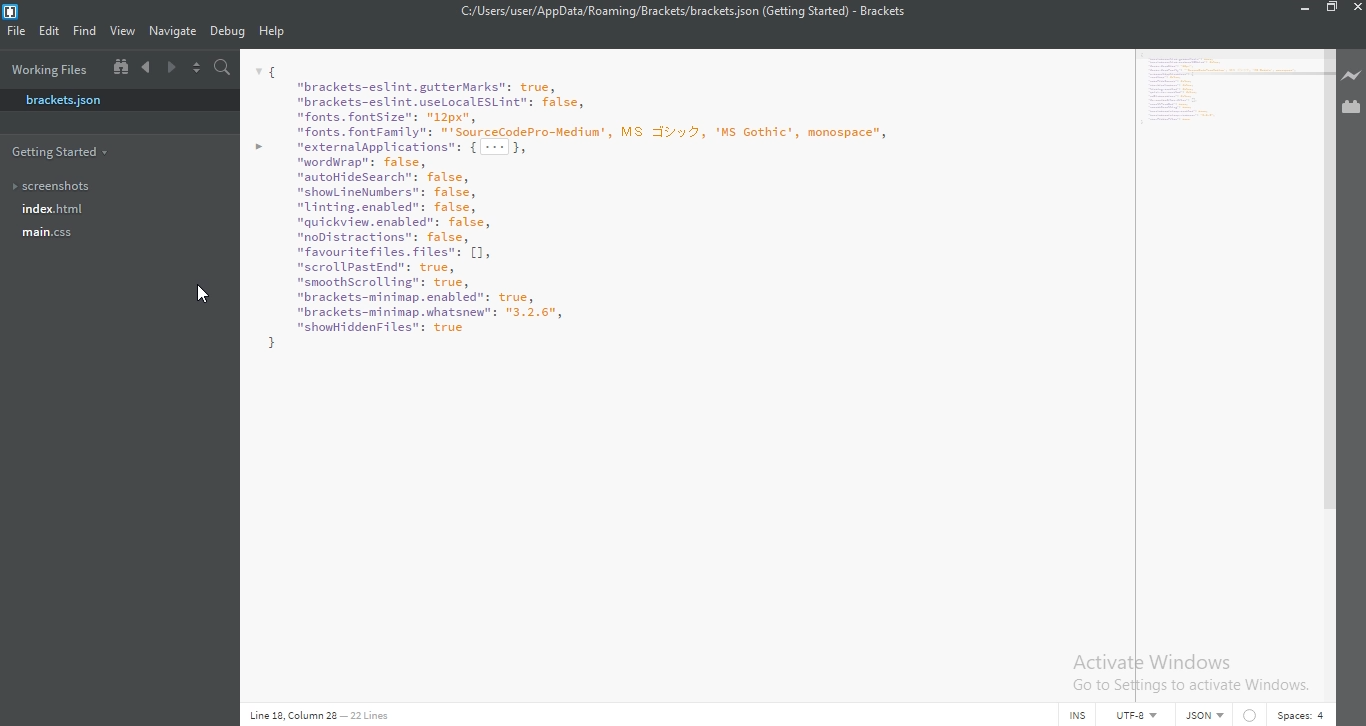  I want to click on Previous document, so click(148, 67).